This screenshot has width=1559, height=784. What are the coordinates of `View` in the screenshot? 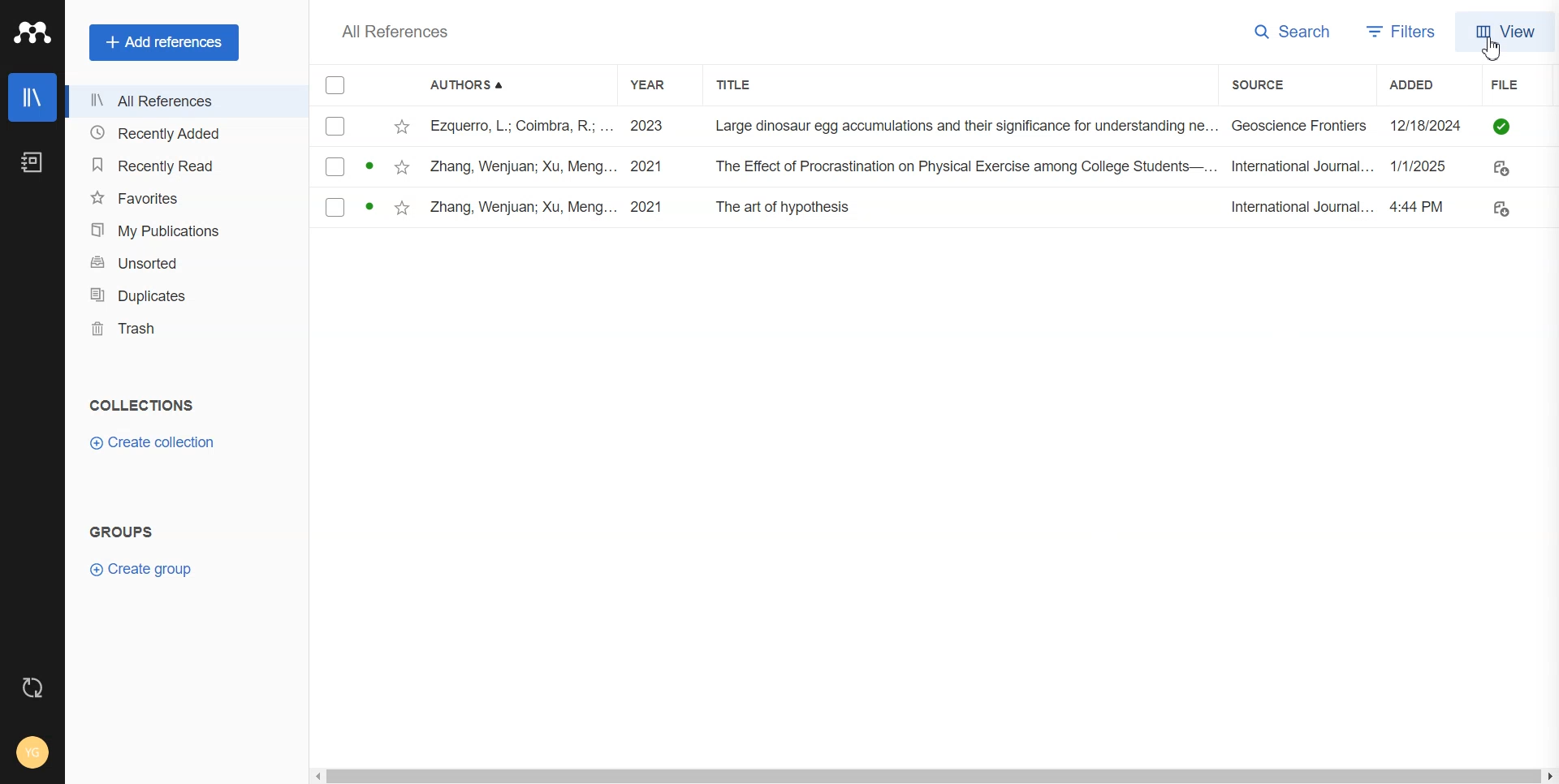 It's located at (1505, 32).